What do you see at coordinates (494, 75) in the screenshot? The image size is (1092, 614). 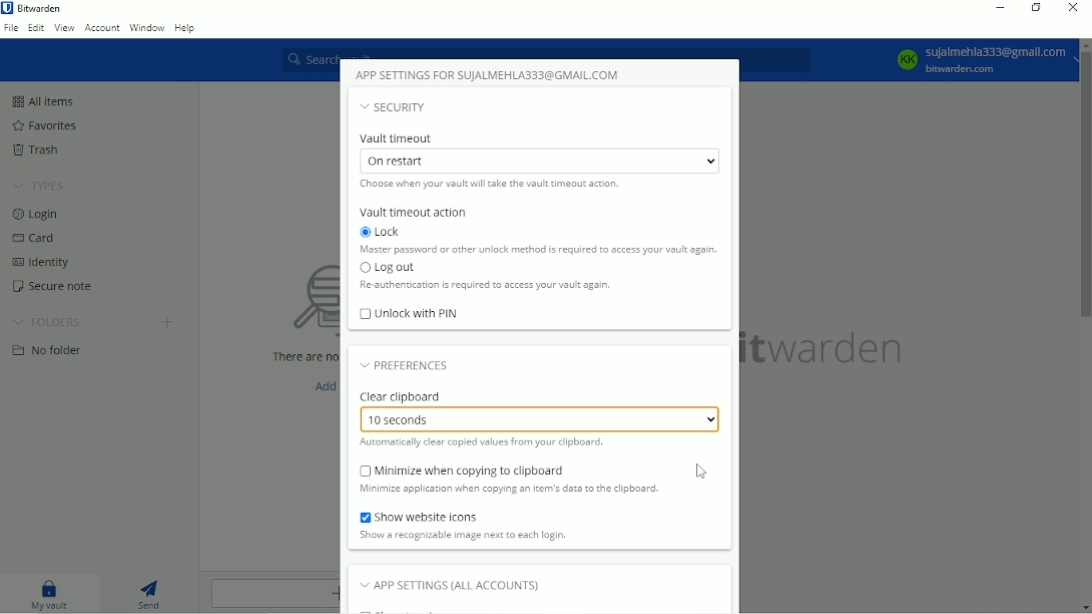 I see `App settings for SUJALMEHLA333@GMAIL.COM` at bounding box center [494, 75].